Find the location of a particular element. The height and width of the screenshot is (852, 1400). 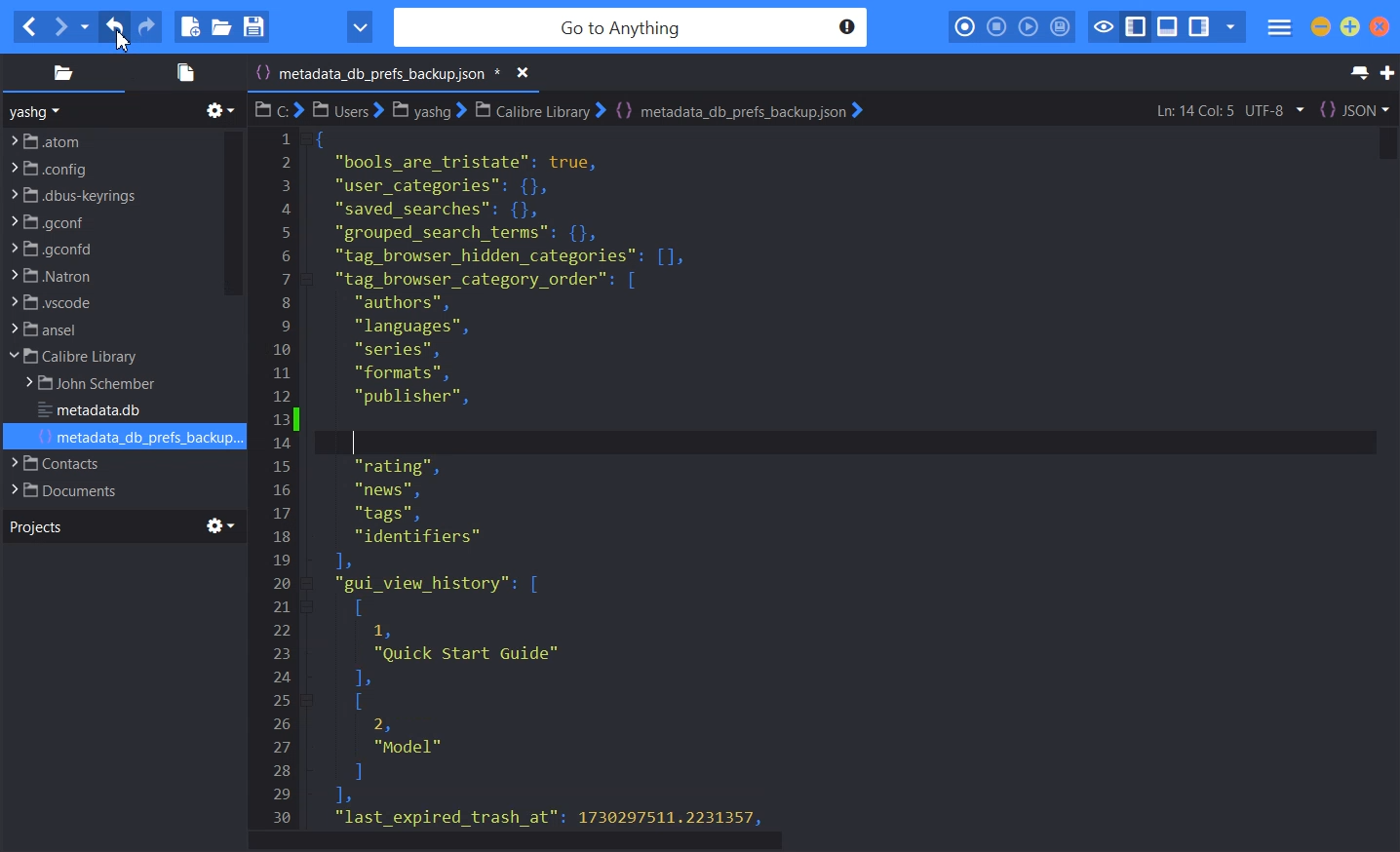

cursor is located at coordinates (123, 39).